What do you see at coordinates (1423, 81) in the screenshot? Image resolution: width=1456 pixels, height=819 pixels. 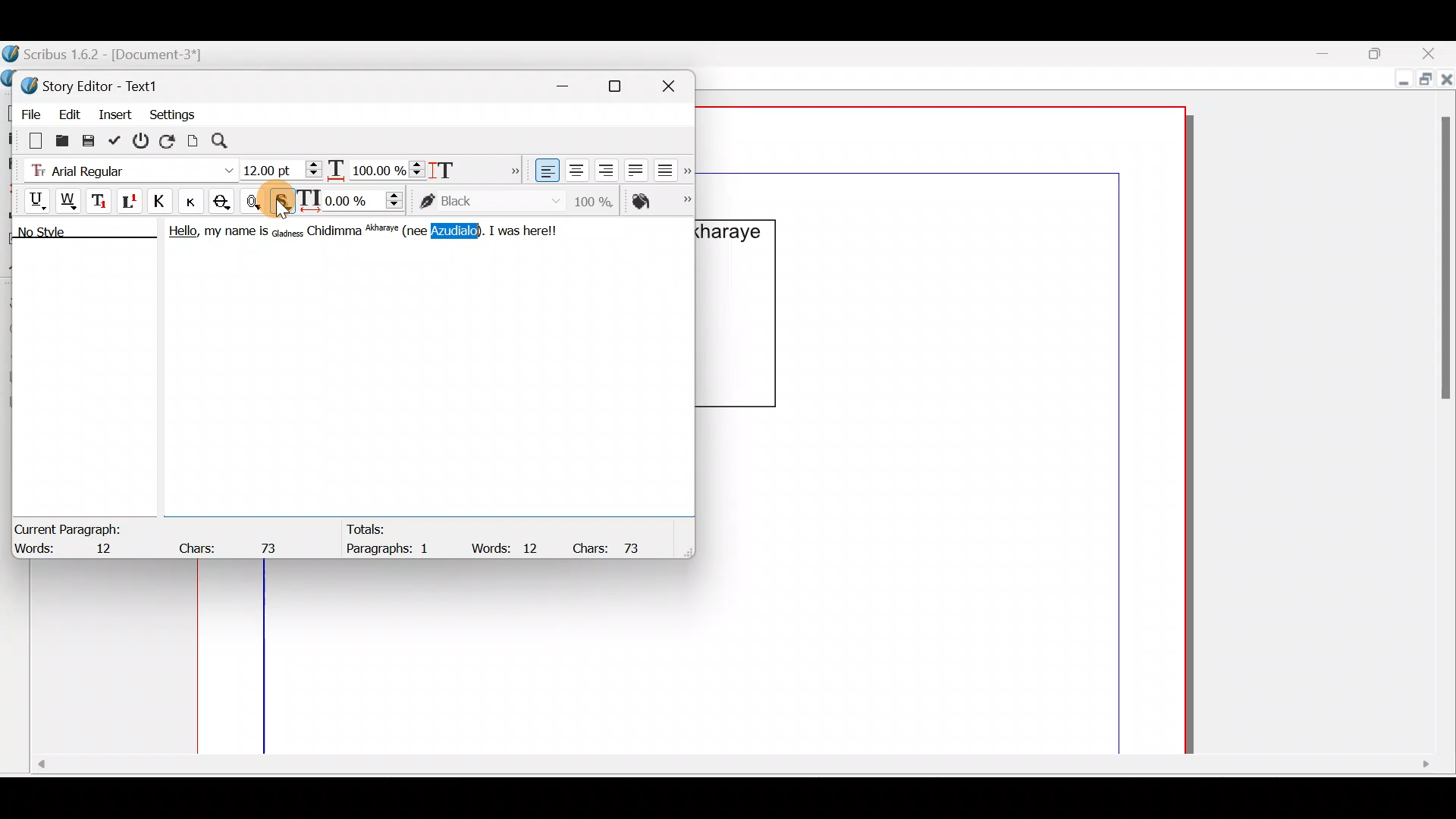 I see `Maximize` at bounding box center [1423, 81].